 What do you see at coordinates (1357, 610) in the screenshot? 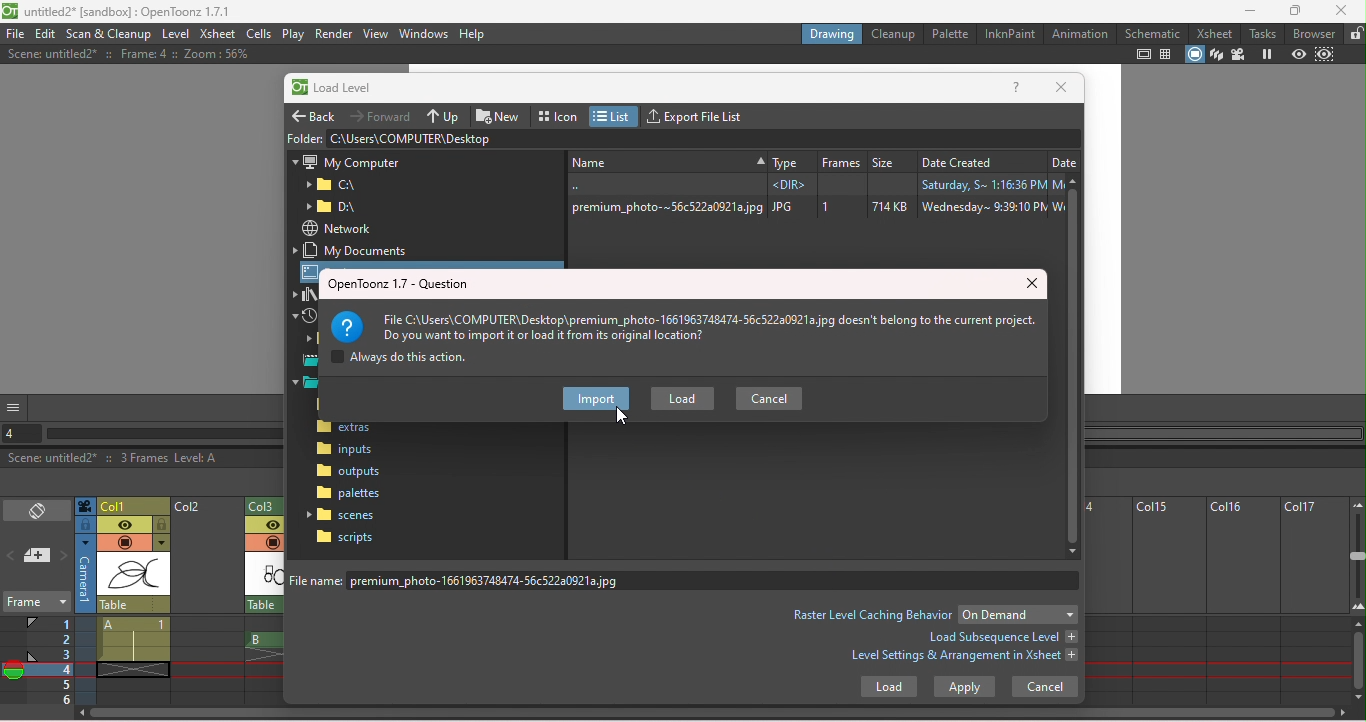
I see `Zoom in` at bounding box center [1357, 610].